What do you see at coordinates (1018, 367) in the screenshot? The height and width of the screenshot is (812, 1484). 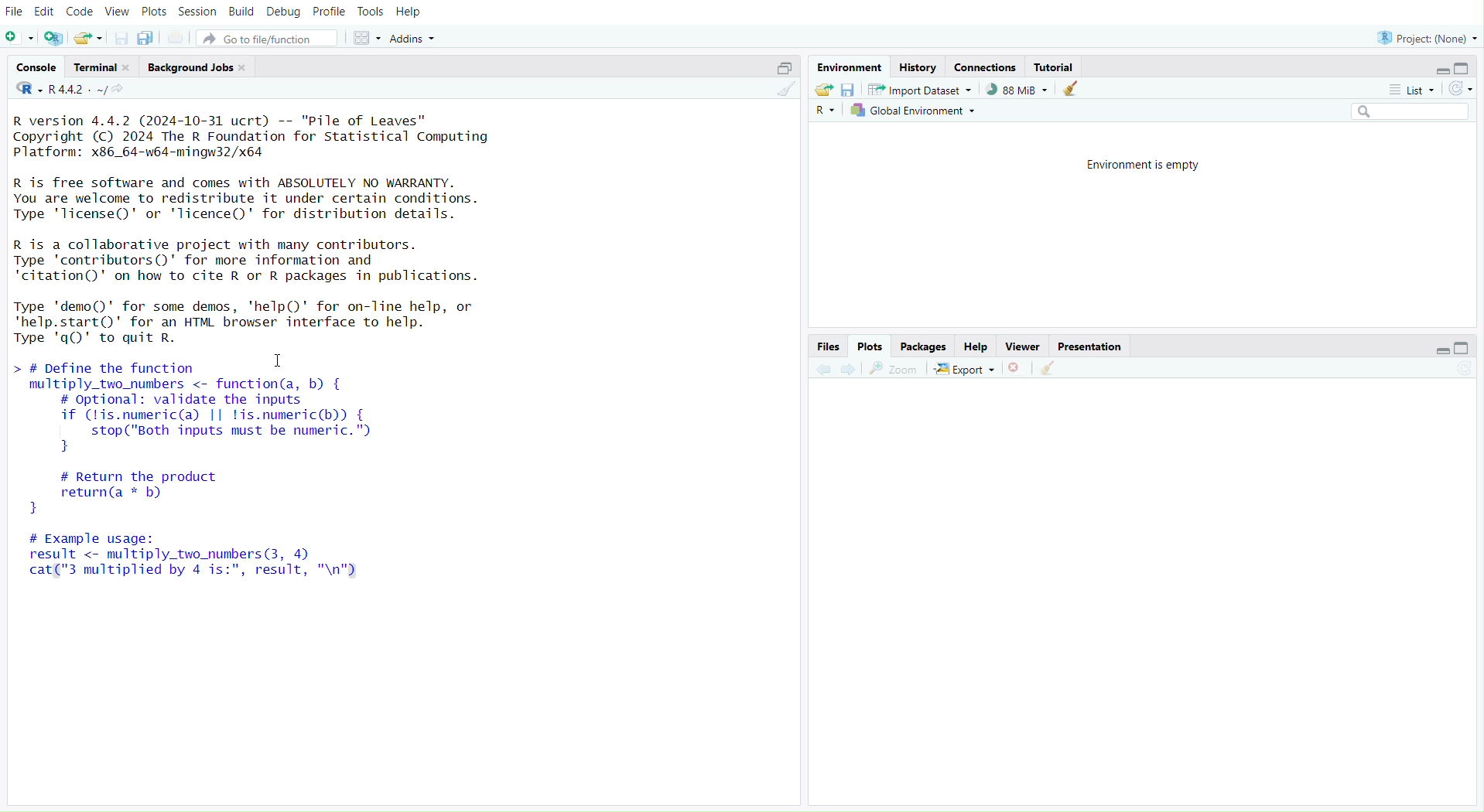 I see `Close` at bounding box center [1018, 367].